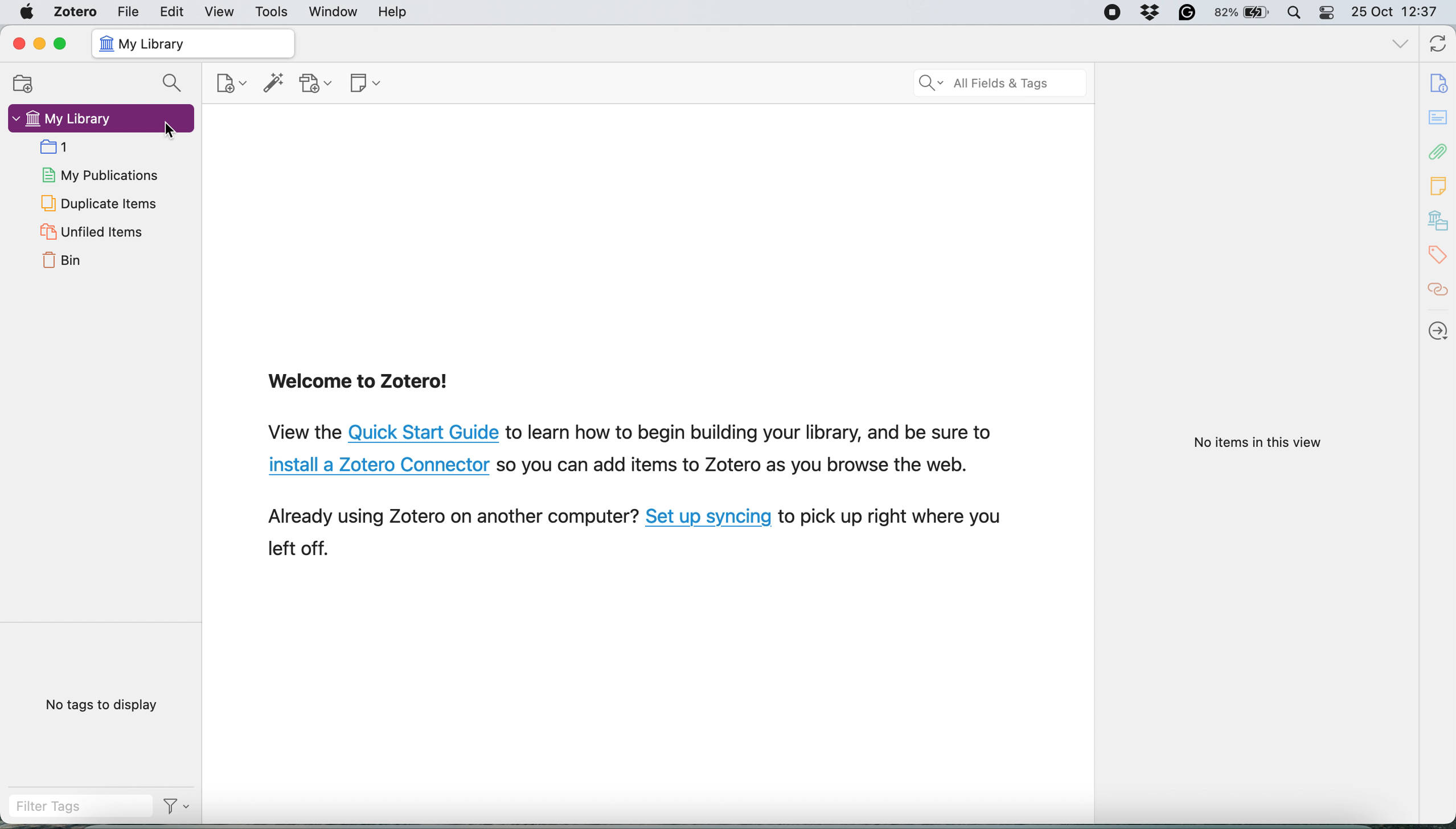 This screenshot has width=1456, height=829. I want to click on Screen Recorder, so click(1110, 12).